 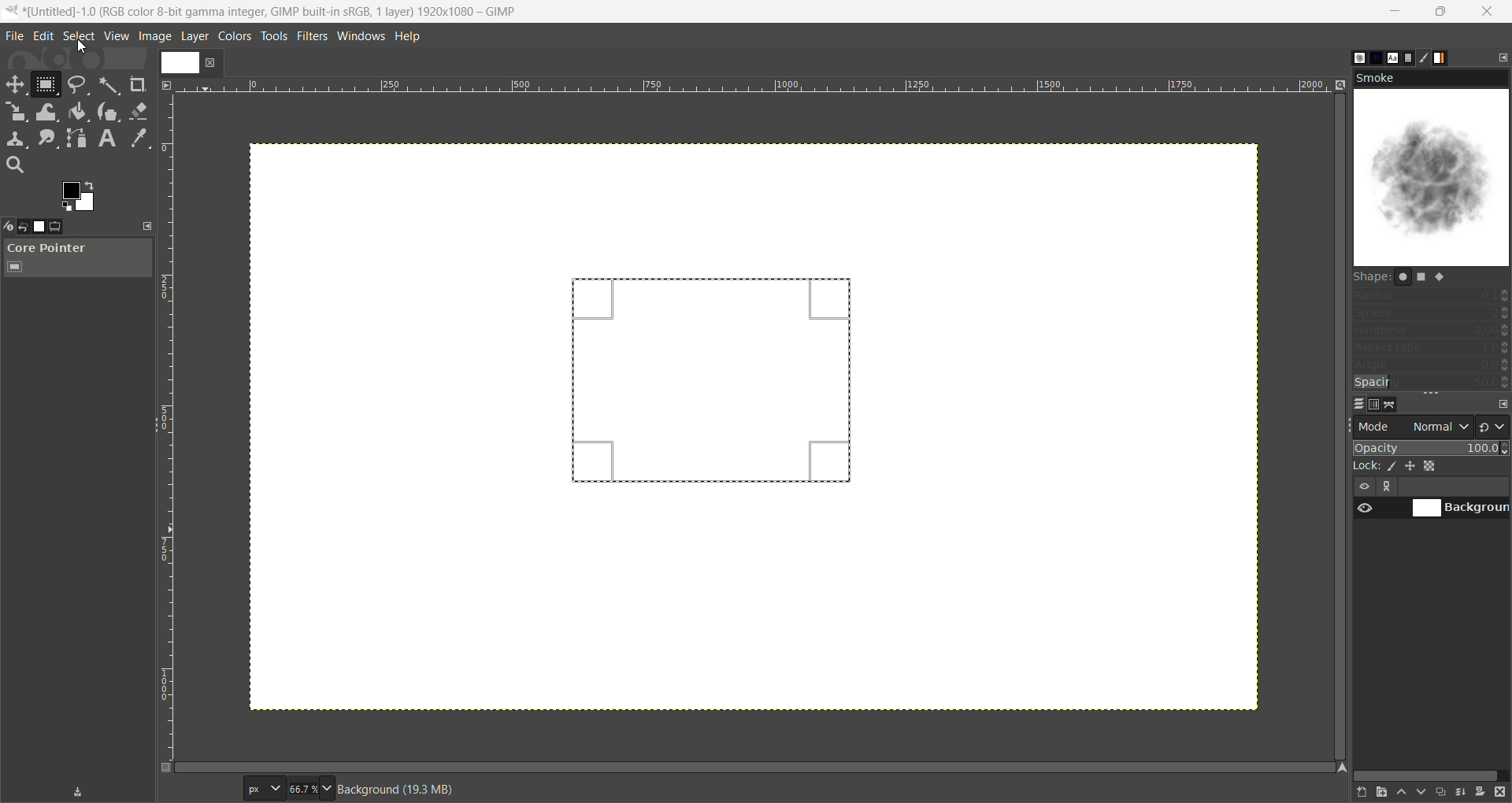 What do you see at coordinates (11, 13) in the screenshot?
I see `logo` at bounding box center [11, 13].